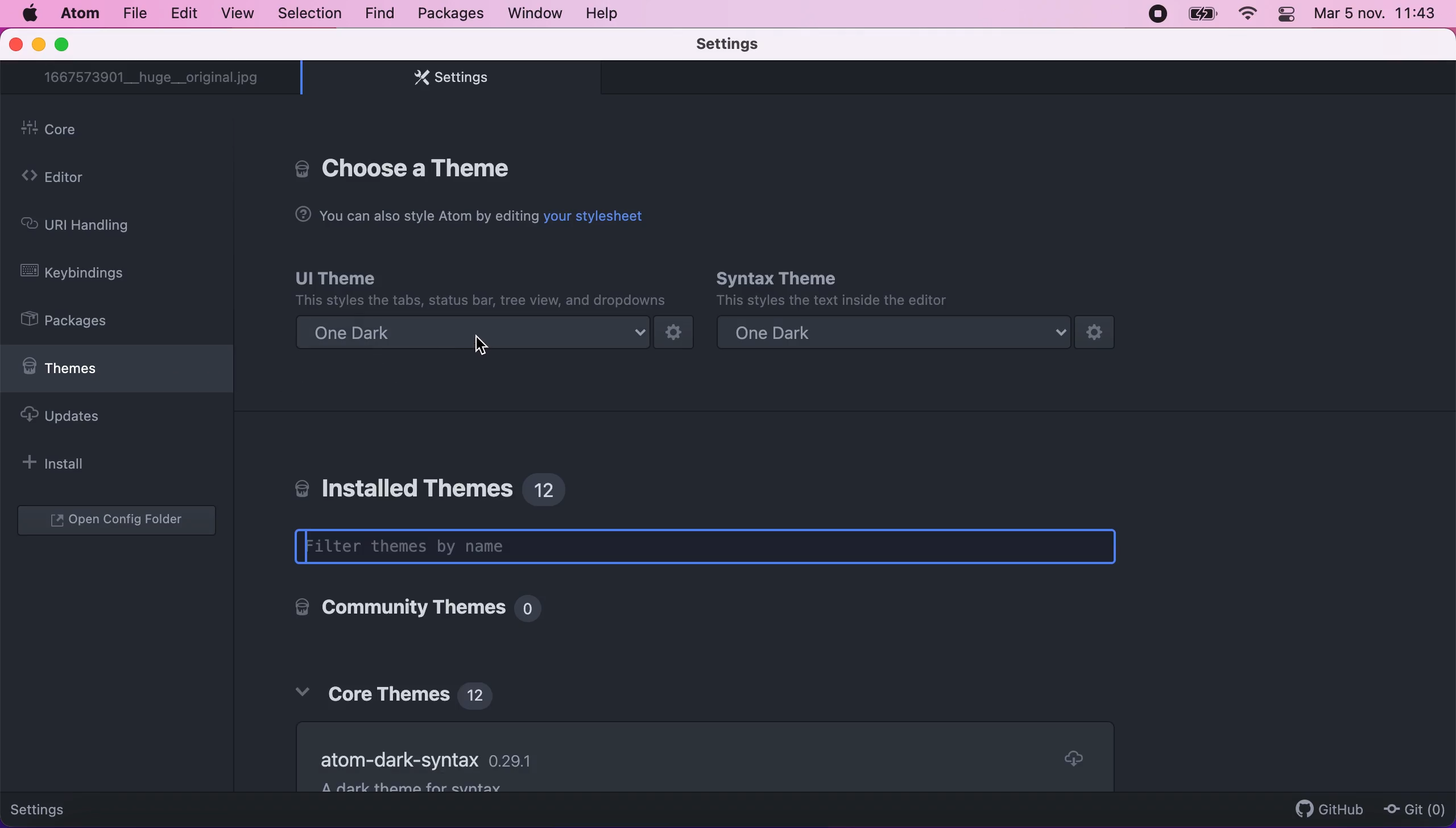  Describe the element at coordinates (1413, 811) in the screenshot. I see `git(0)` at that location.